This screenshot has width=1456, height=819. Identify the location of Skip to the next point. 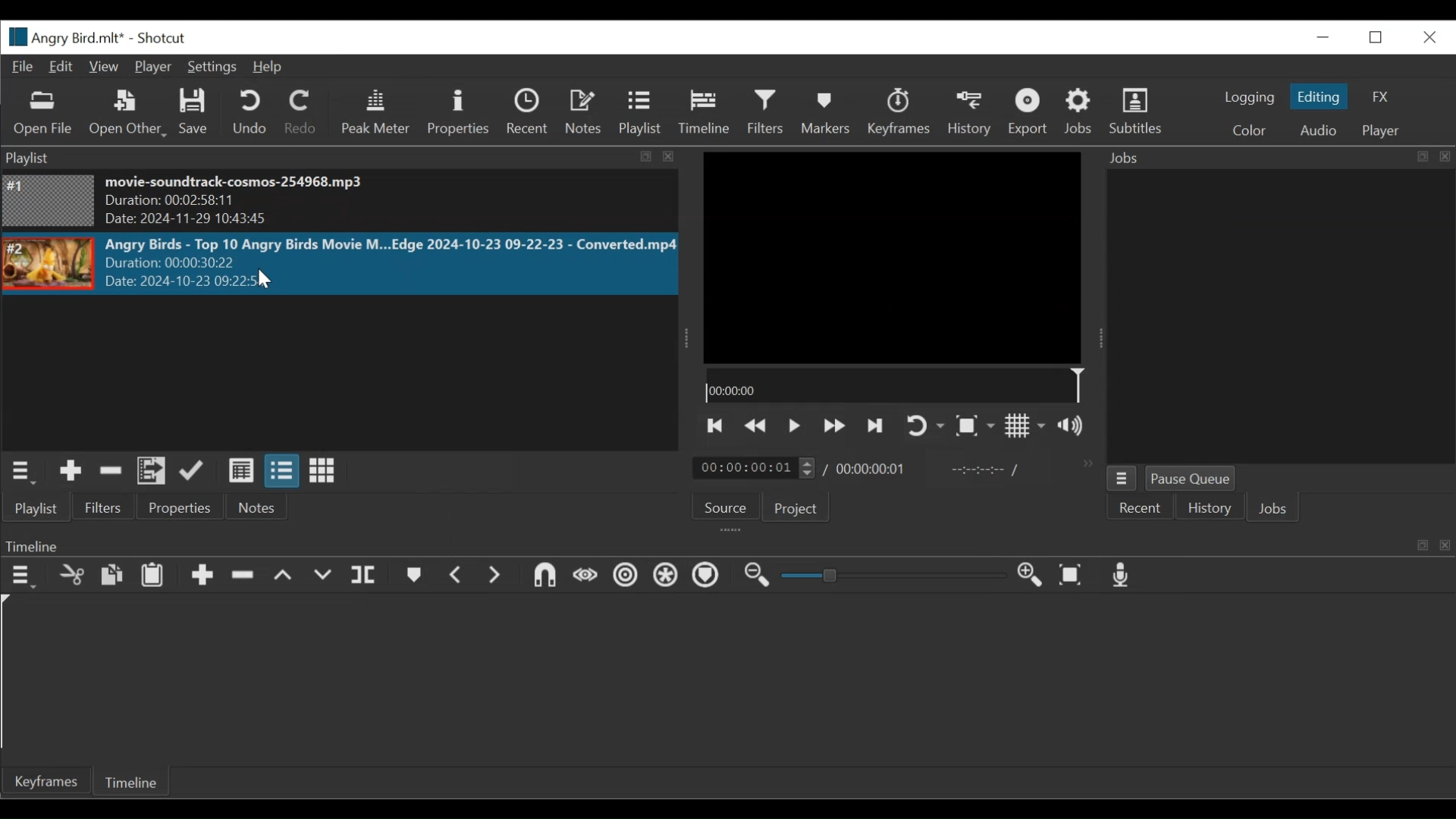
(717, 426).